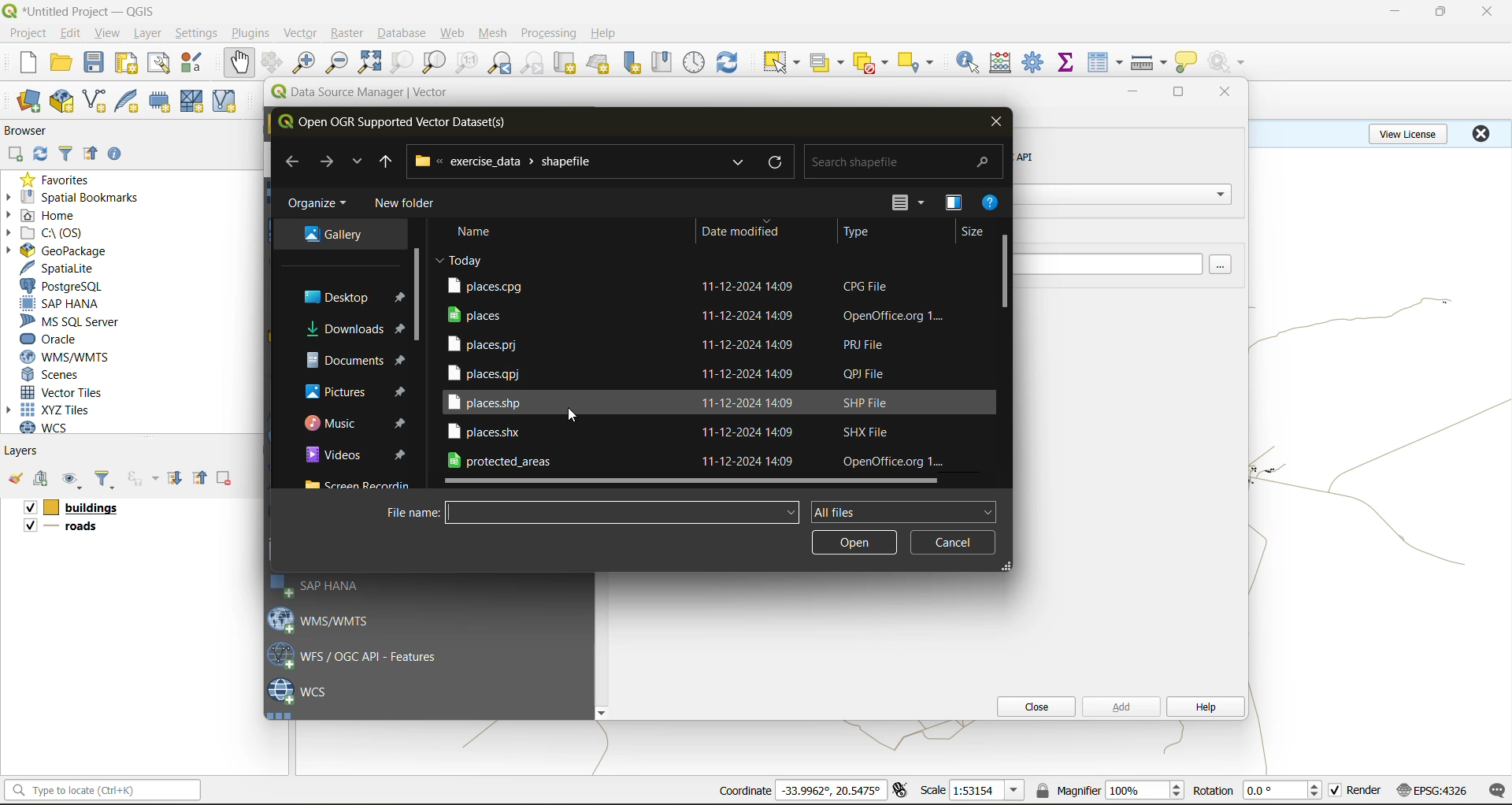  Describe the element at coordinates (32, 133) in the screenshot. I see `browser` at that location.